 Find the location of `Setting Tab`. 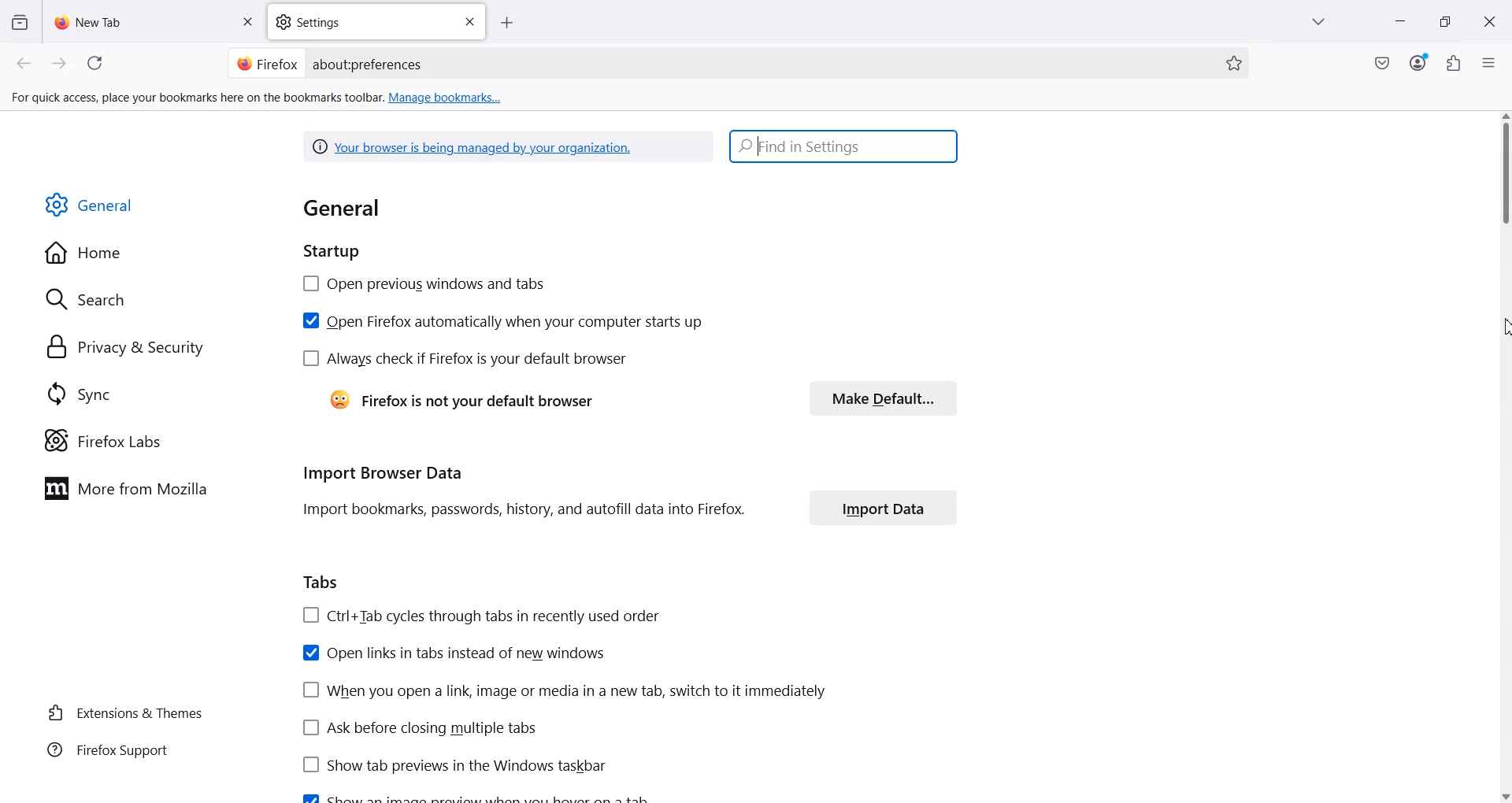

Setting Tab is located at coordinates (378, 22).